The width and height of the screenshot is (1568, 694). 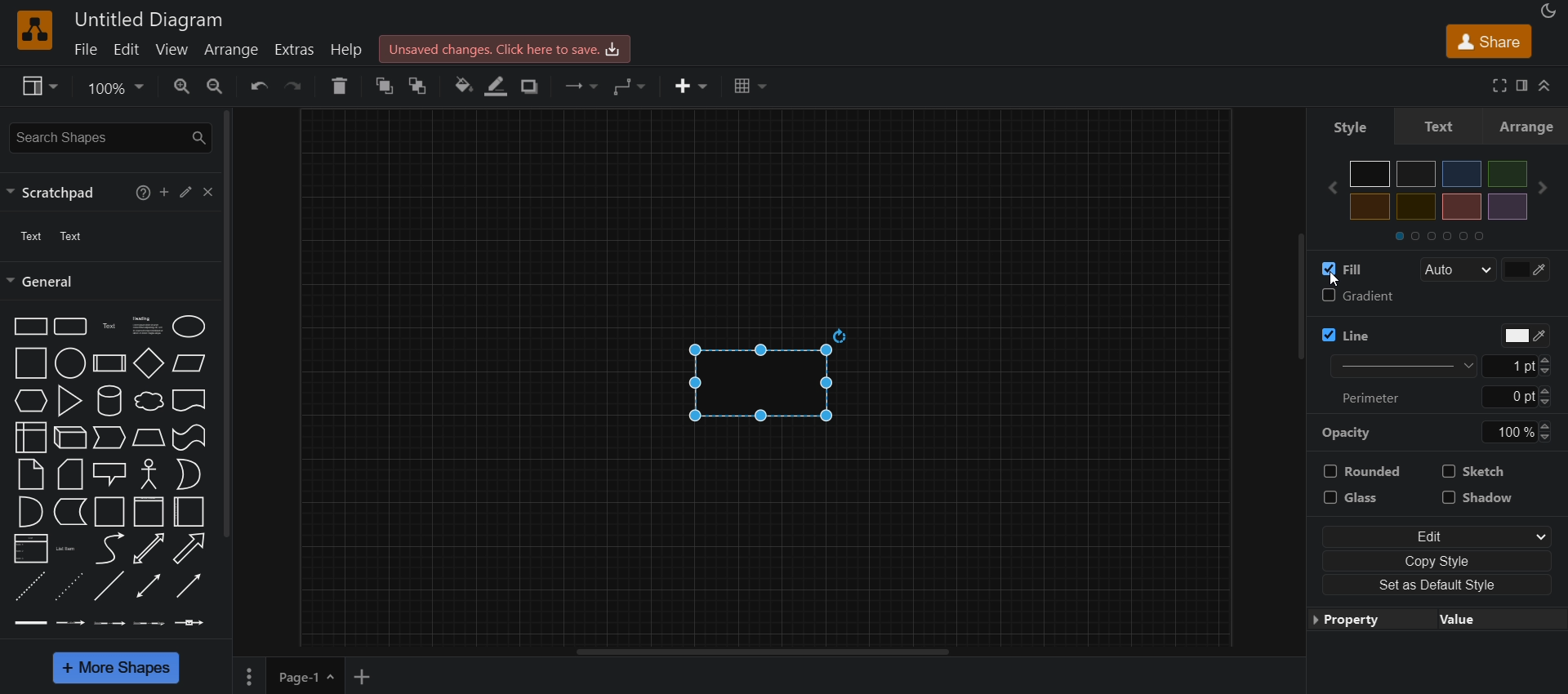 I want to click on format, so click(x=1524, y=85).